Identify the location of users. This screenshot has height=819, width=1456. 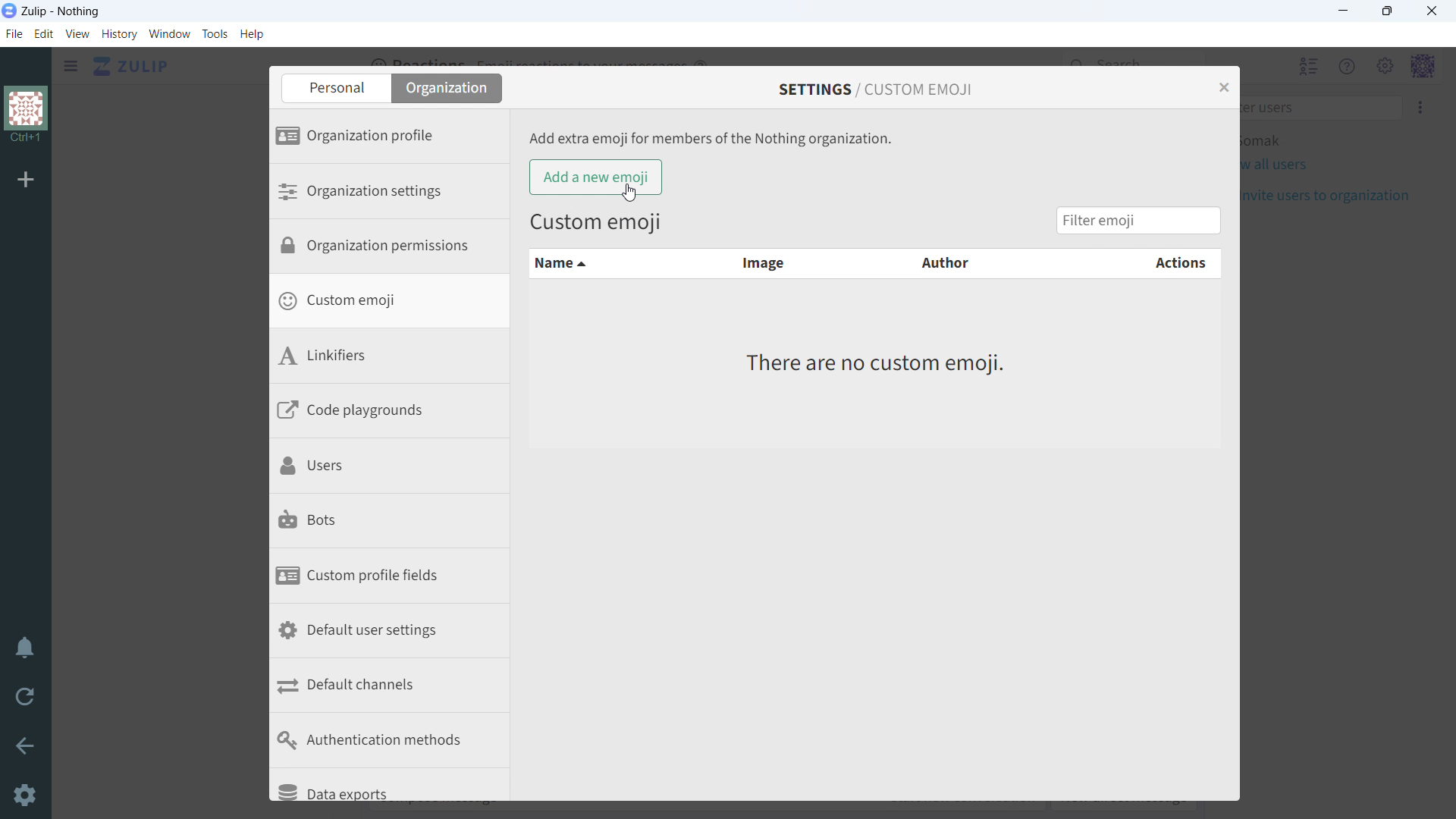
(388, 467).